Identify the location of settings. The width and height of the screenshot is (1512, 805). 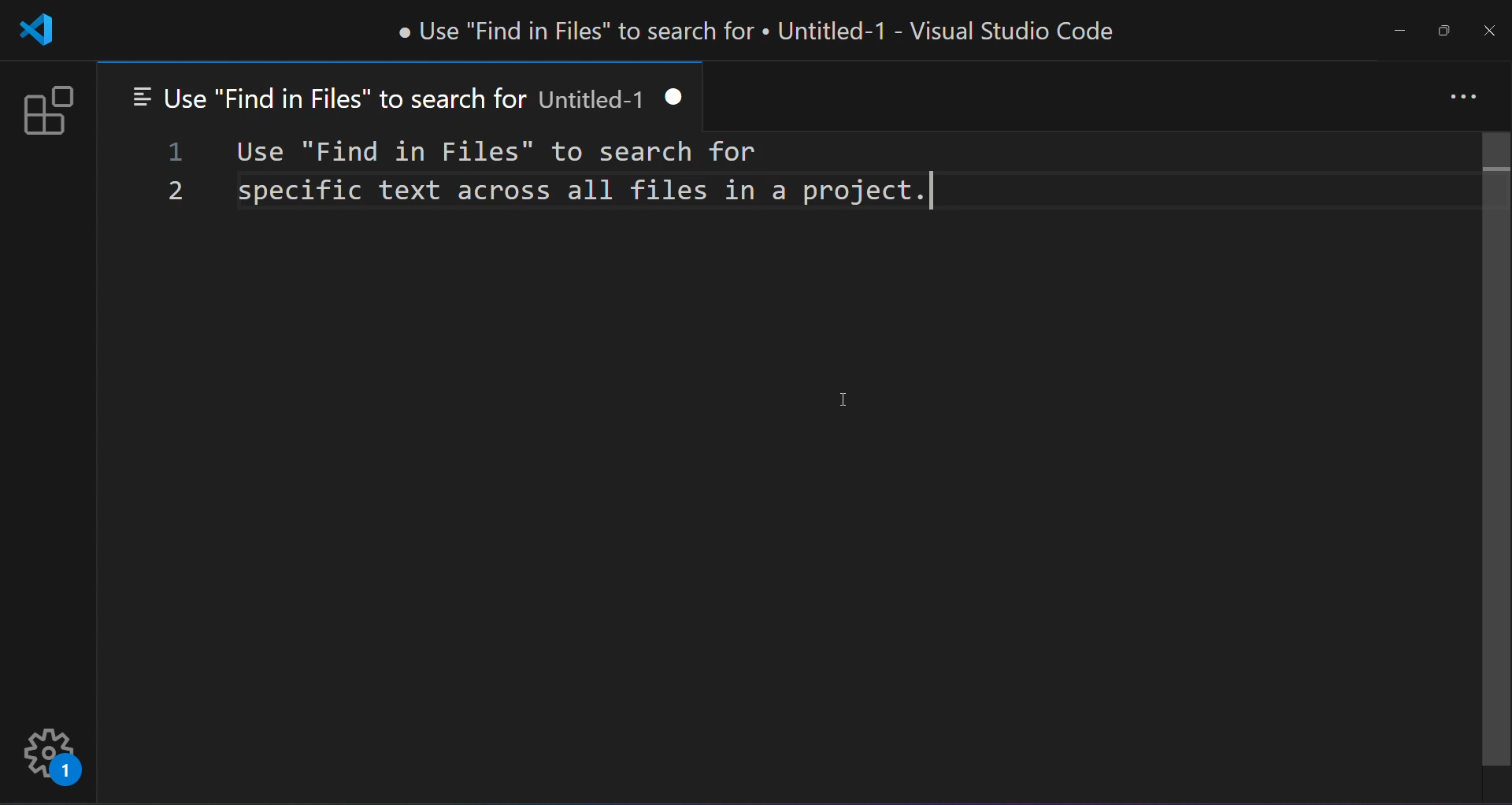
(48, 757).